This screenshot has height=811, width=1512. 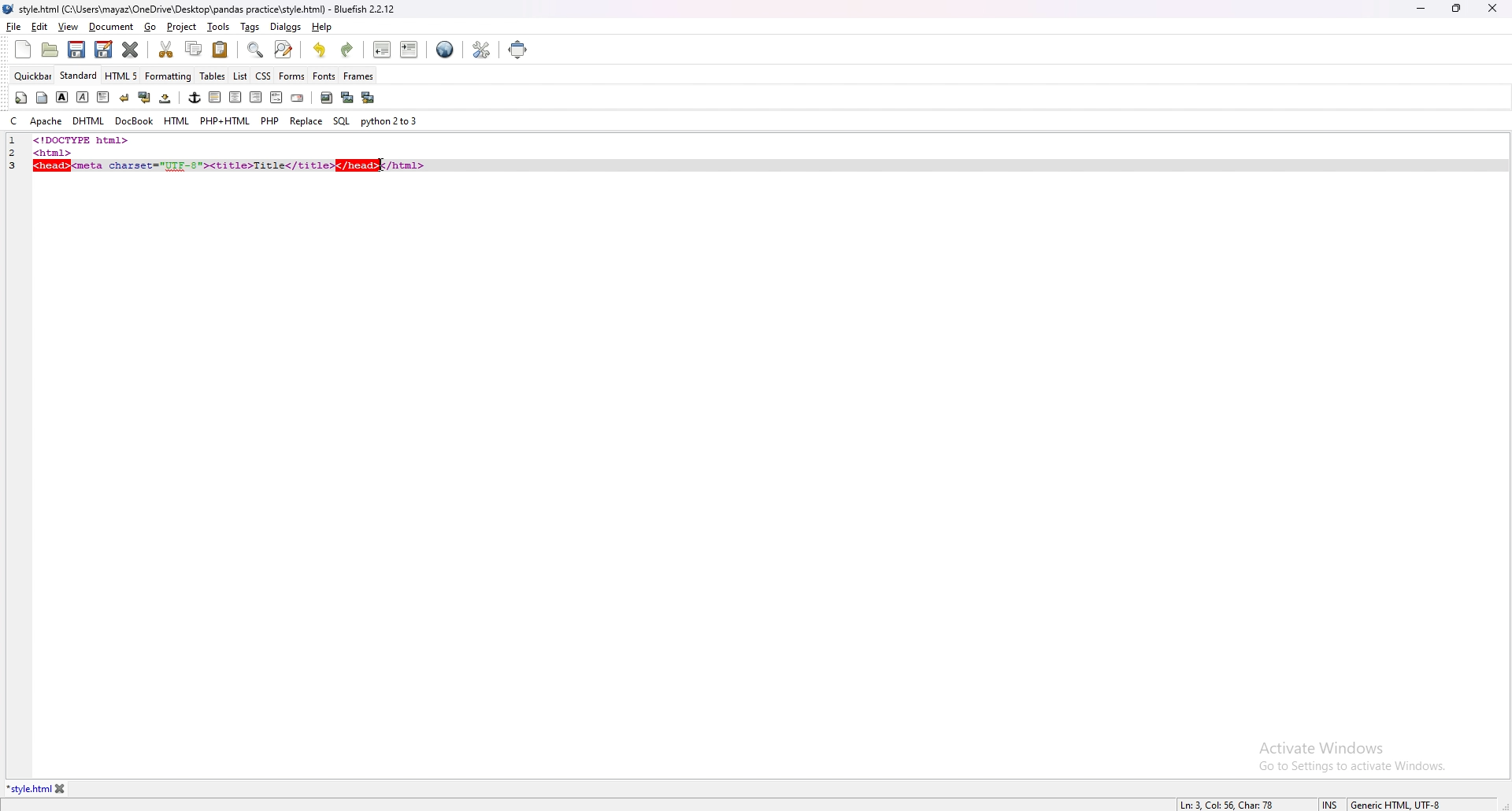 What do you see at coordinates (168, 49) in the screenshot?
I see `cut` at bounding box center [168, 49].